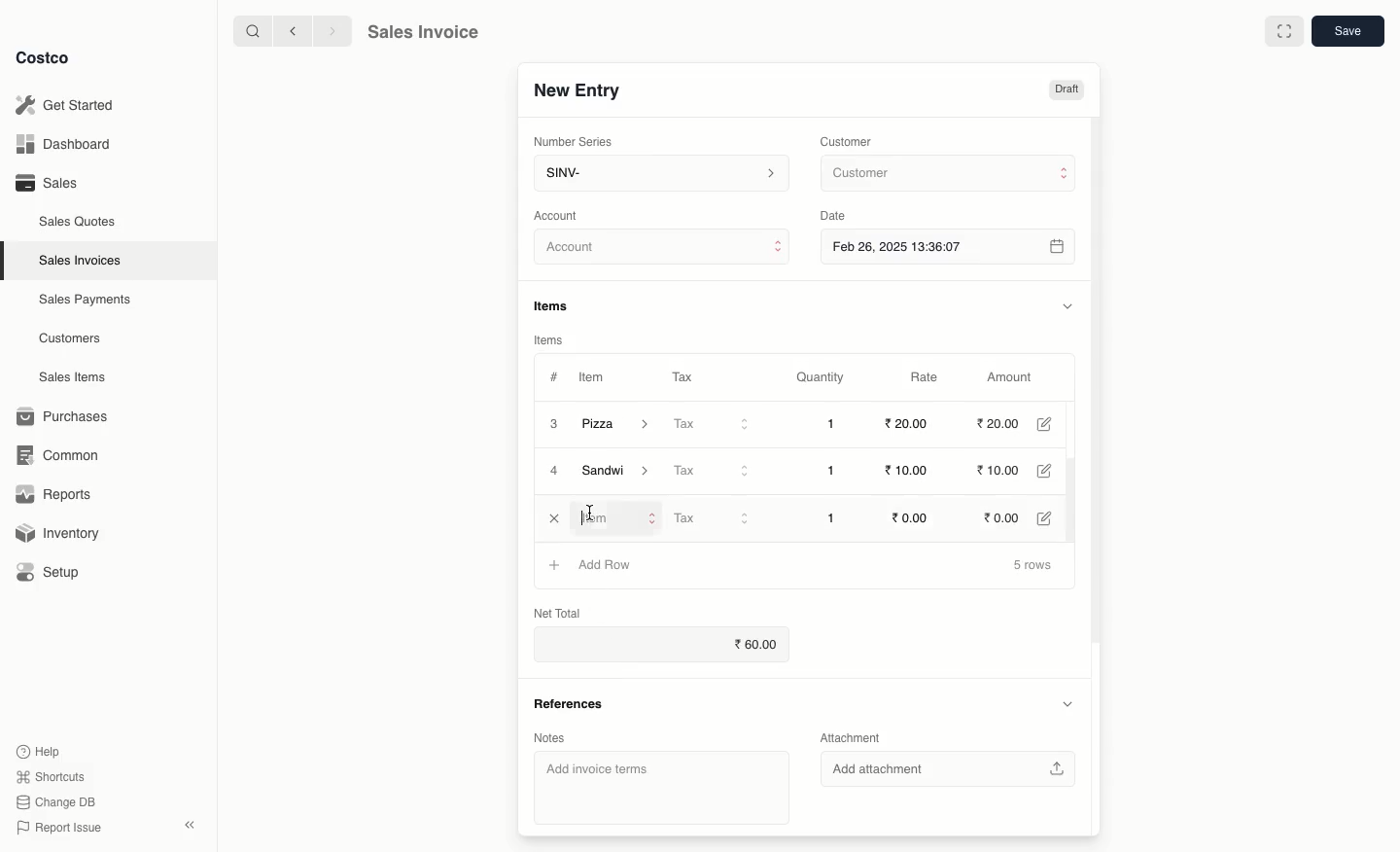 Image resolution: width=1400 pixels, height=852 pixels. What do you see at coordinates (55, 572) in the screenshot?
I see `Setup` at bounding box center [55, 572].